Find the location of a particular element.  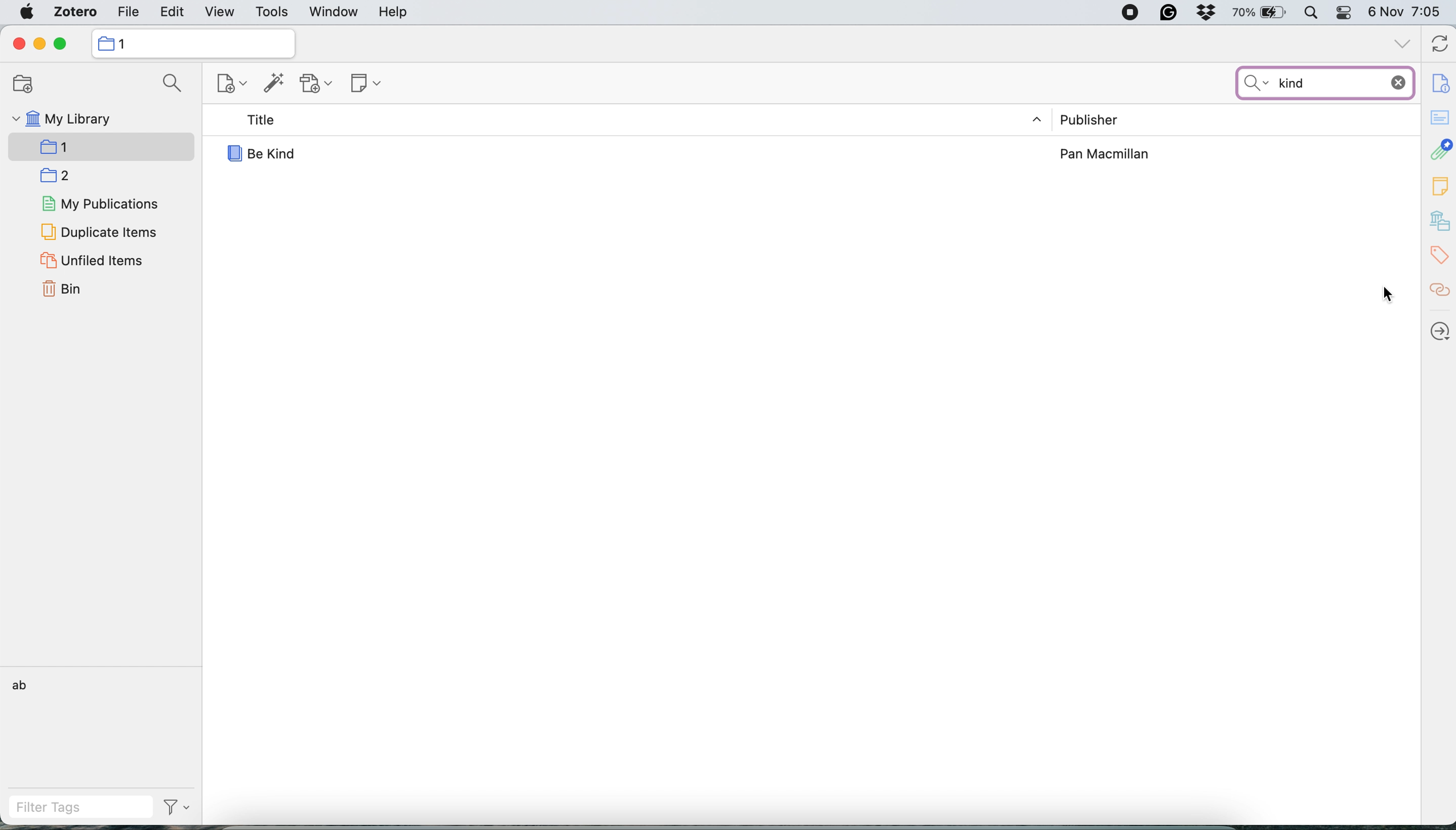

kind is located at coordinates (1292, 83).